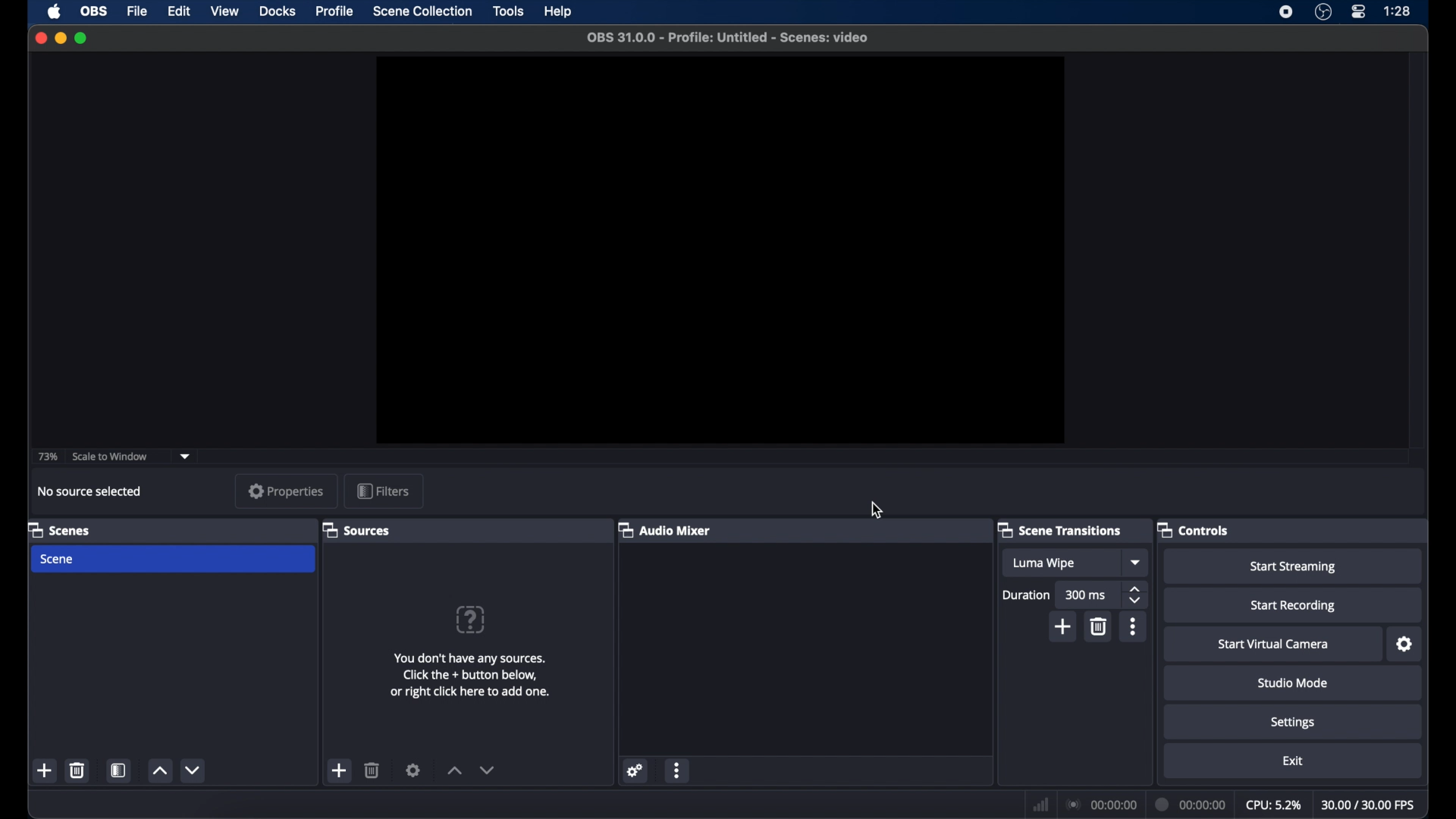 Image resolution: width=1456 pixels, height=819 pixels. What do you see at coordinates (1041, 804) in the screenshot?
I see `network` at bounding box center [1041, 804].